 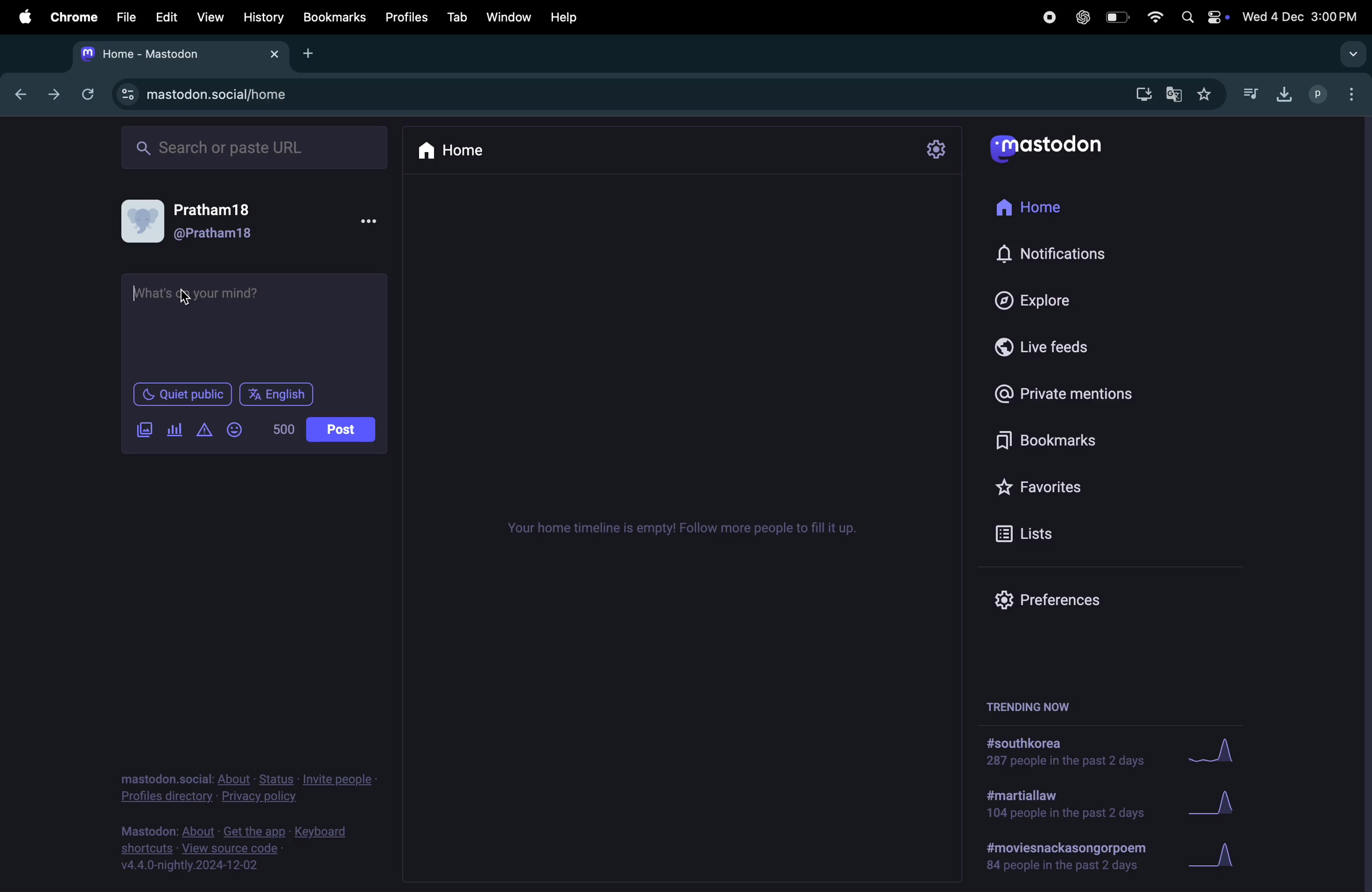 I want to click on add tab, so click(x=315, y=55).